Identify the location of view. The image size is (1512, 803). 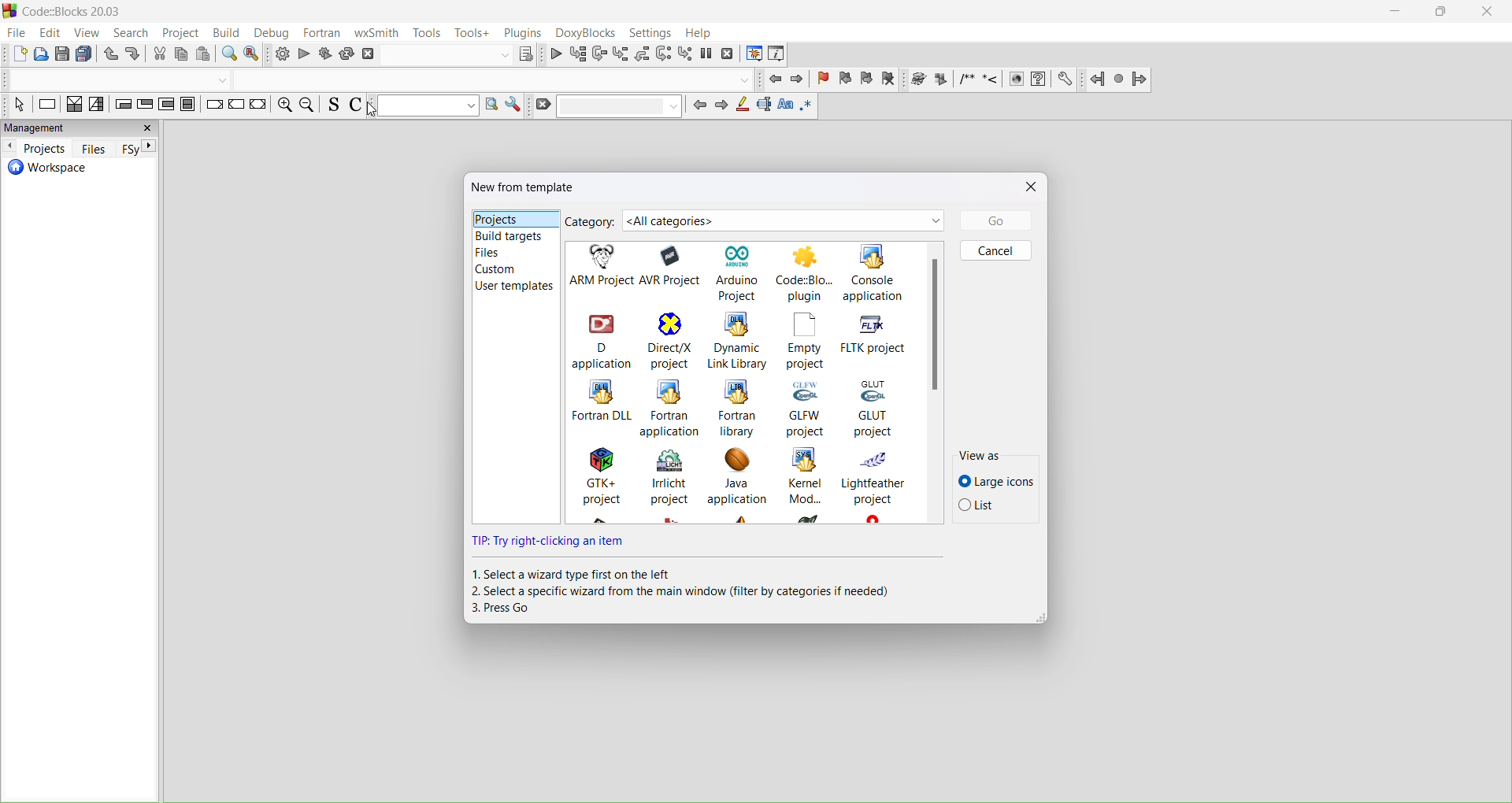
(89, 34).